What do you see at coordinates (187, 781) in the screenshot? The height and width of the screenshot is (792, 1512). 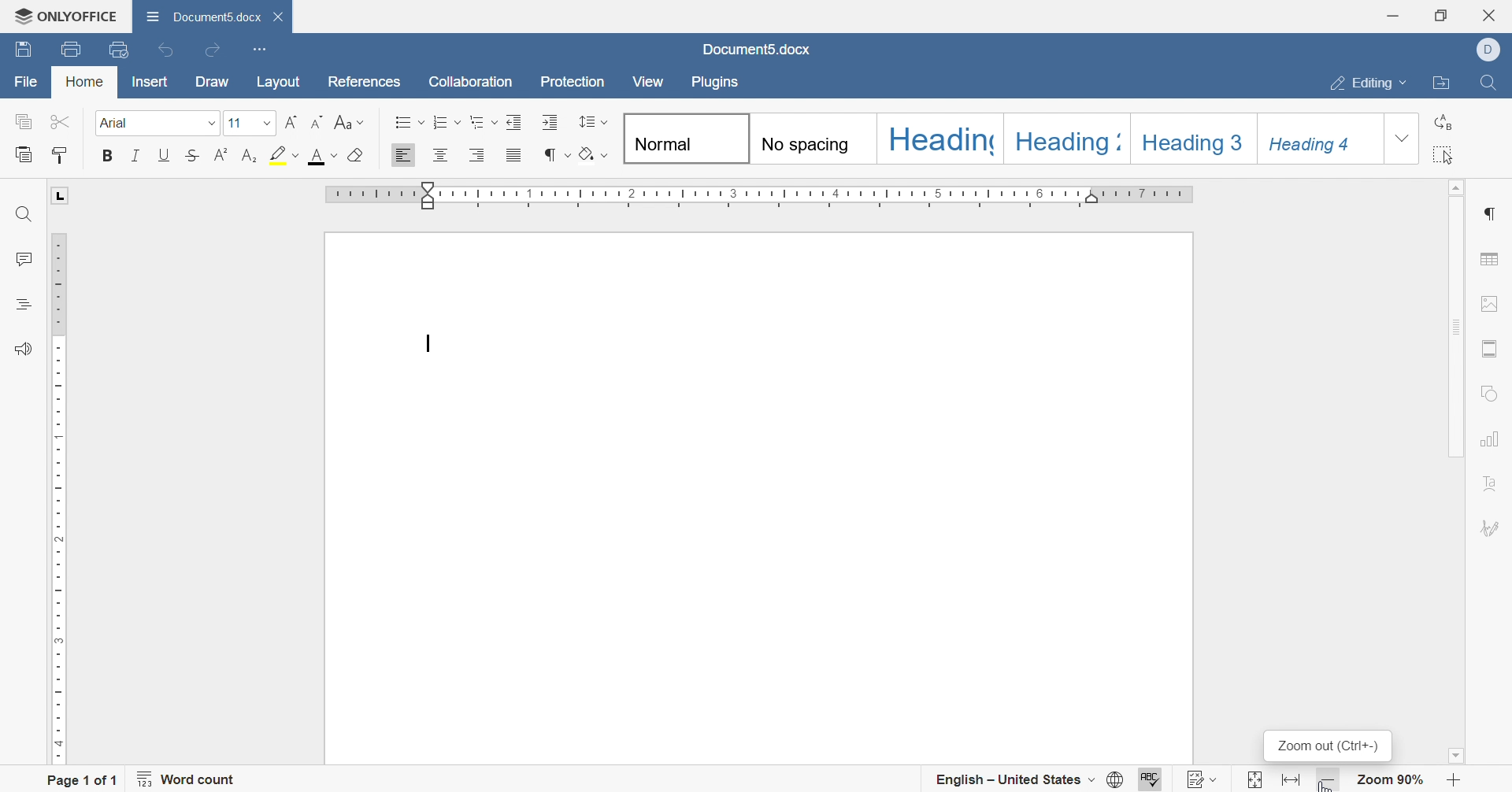 I see `word count` at bounding box center [187, 781].